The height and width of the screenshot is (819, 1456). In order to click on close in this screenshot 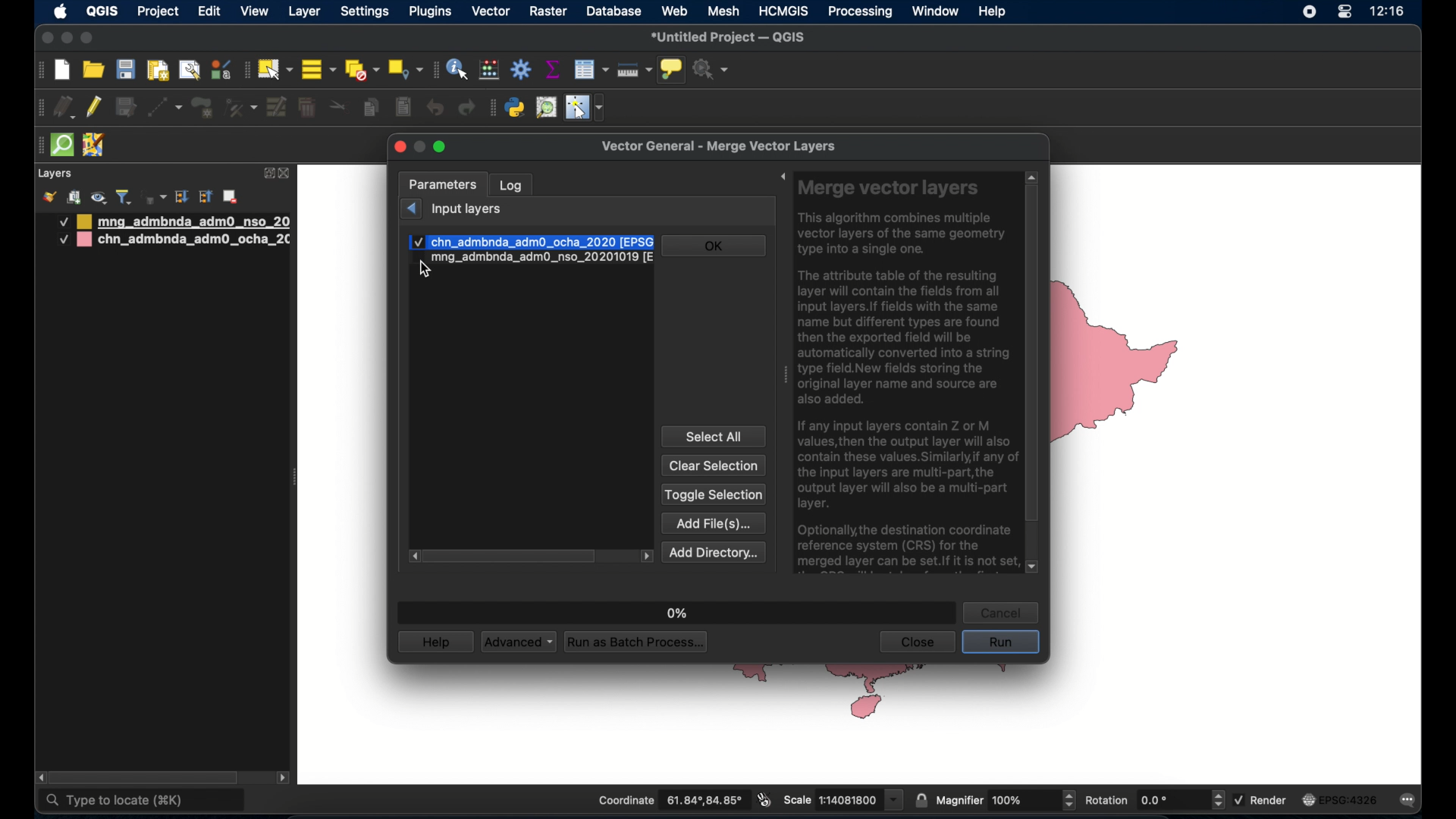, I will do `click(916, 642)`.